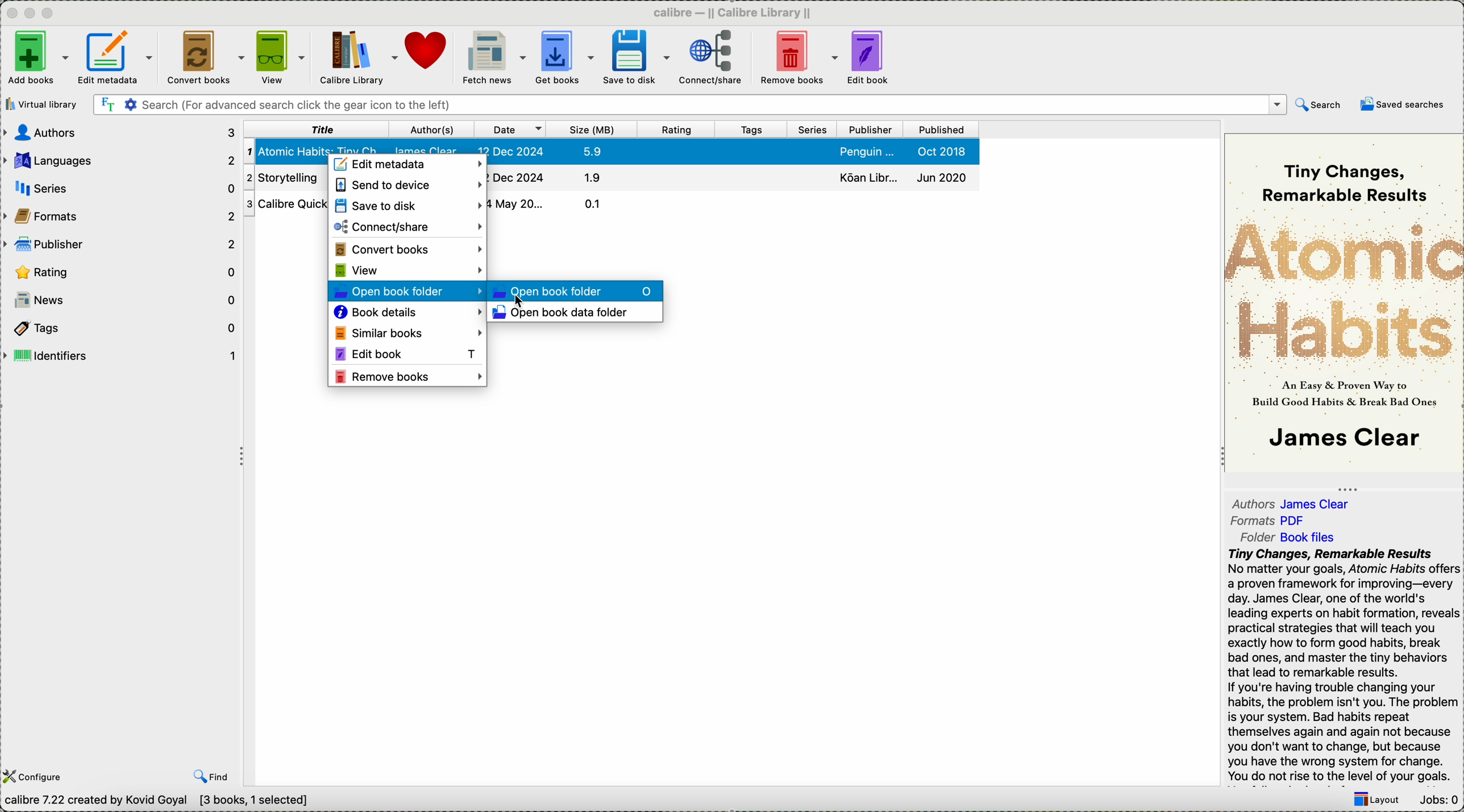 This screenshot has width=1464, height=812. Describe the element at coordinates (593, 130) in the screenshot. I see `size` at that location.